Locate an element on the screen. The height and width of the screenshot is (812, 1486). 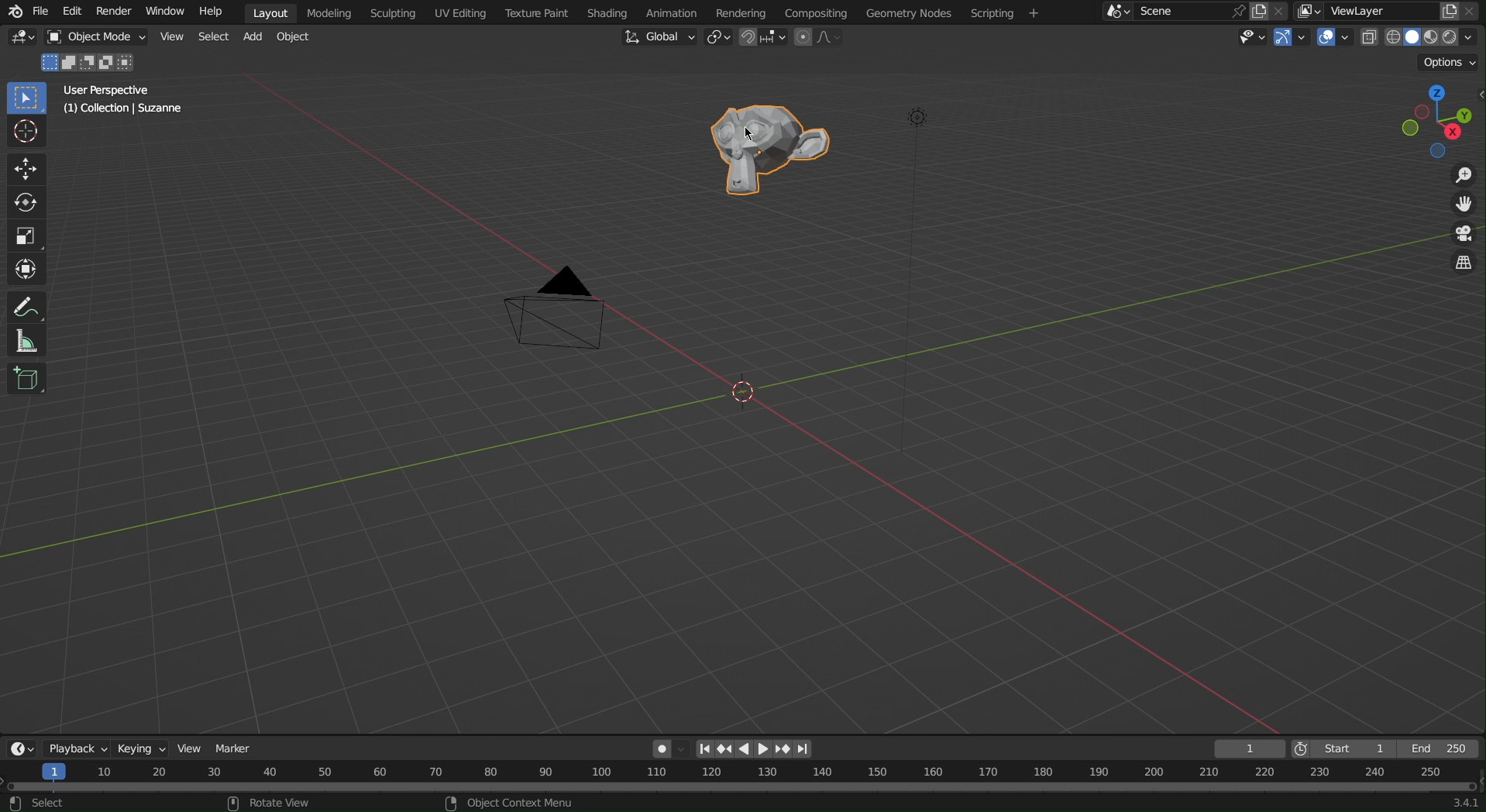
Editor Type is located at coordinates (22, 750).